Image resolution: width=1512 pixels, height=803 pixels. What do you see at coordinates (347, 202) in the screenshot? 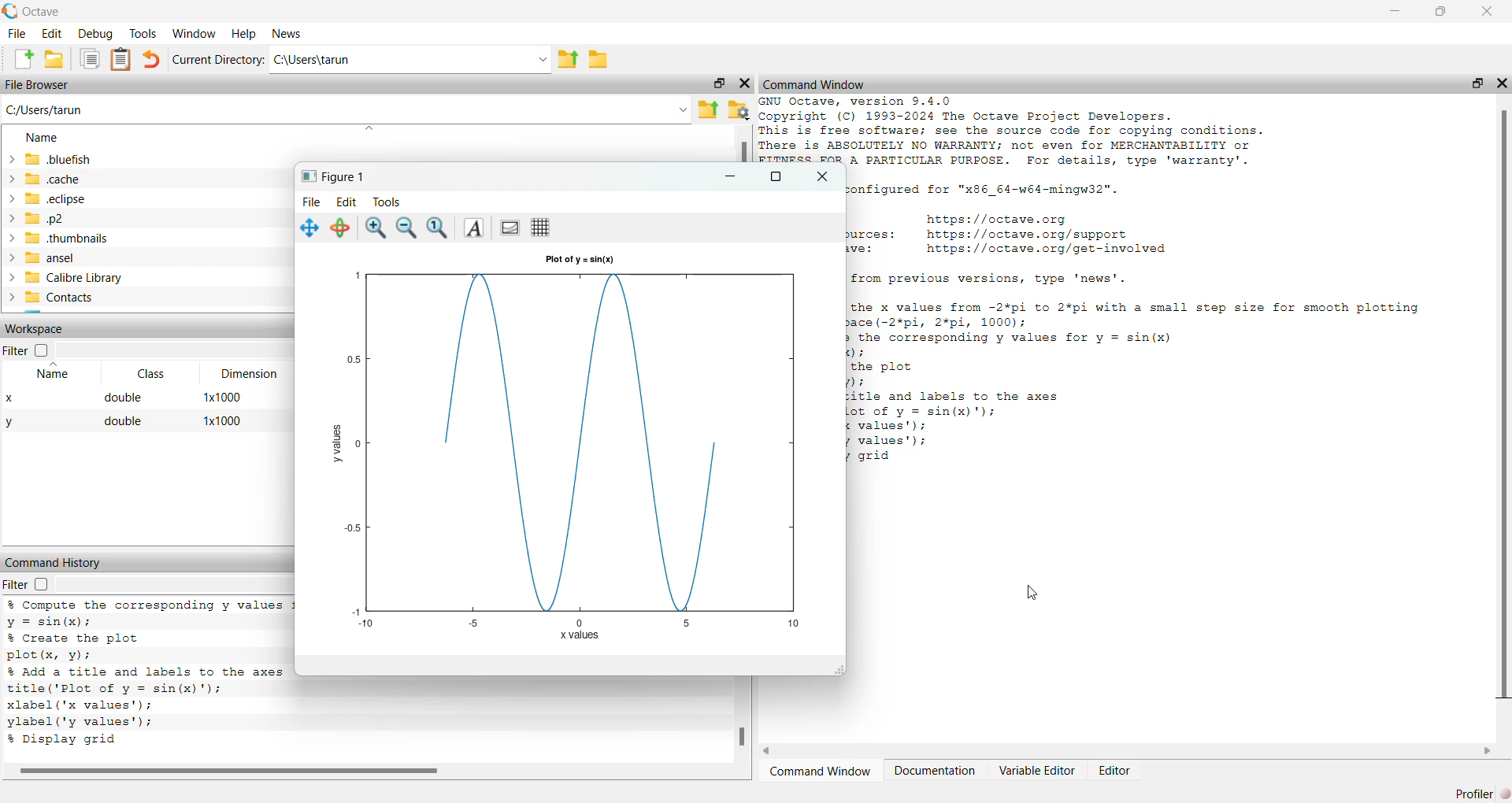
I see `Edit` at bounding box center [347, 202].